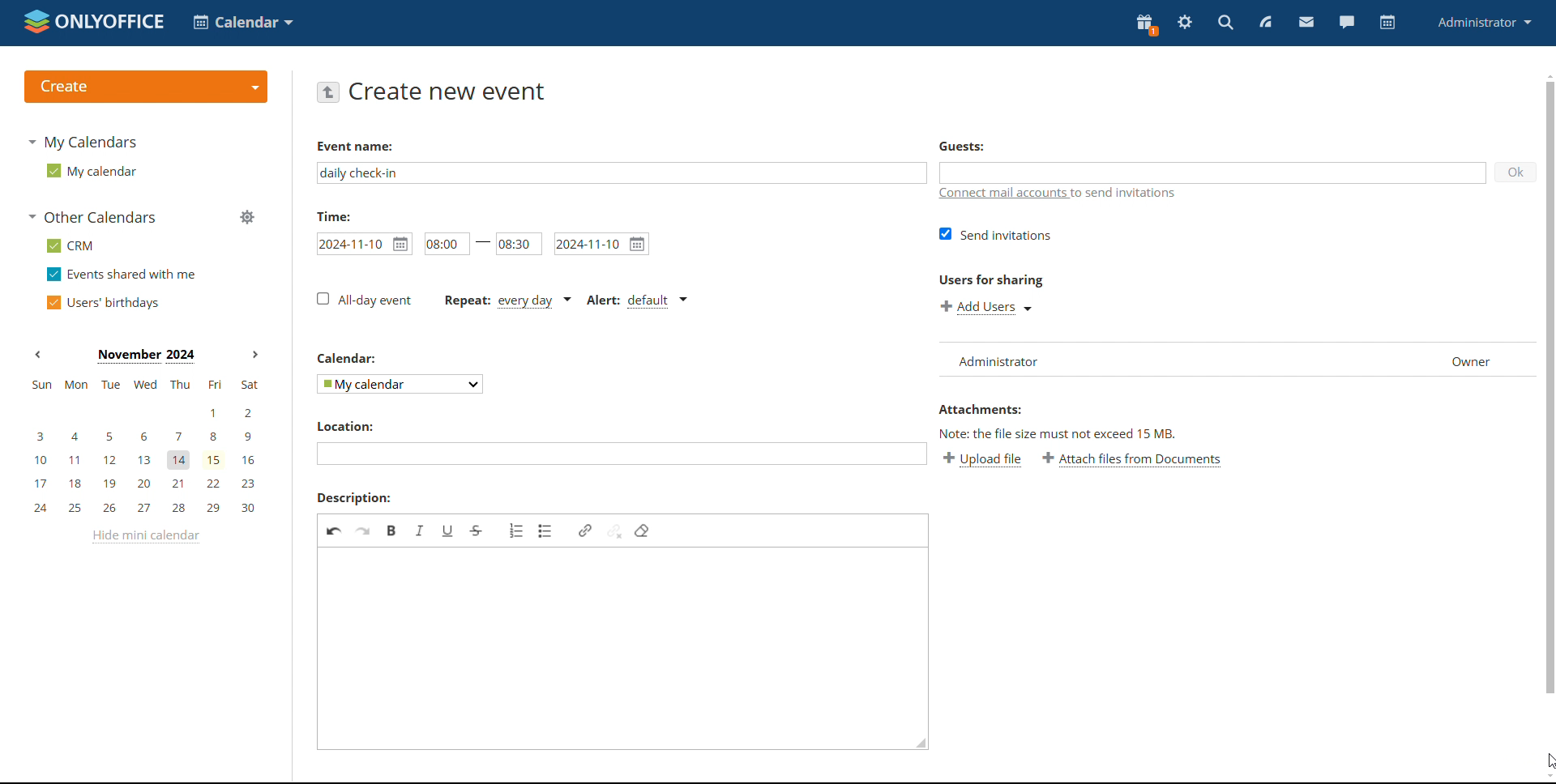 The width and height of the screenshot is (1556, 784). Describe the element at coordinates (1387, 23) in the screenshot. I see `calendar` at that location.